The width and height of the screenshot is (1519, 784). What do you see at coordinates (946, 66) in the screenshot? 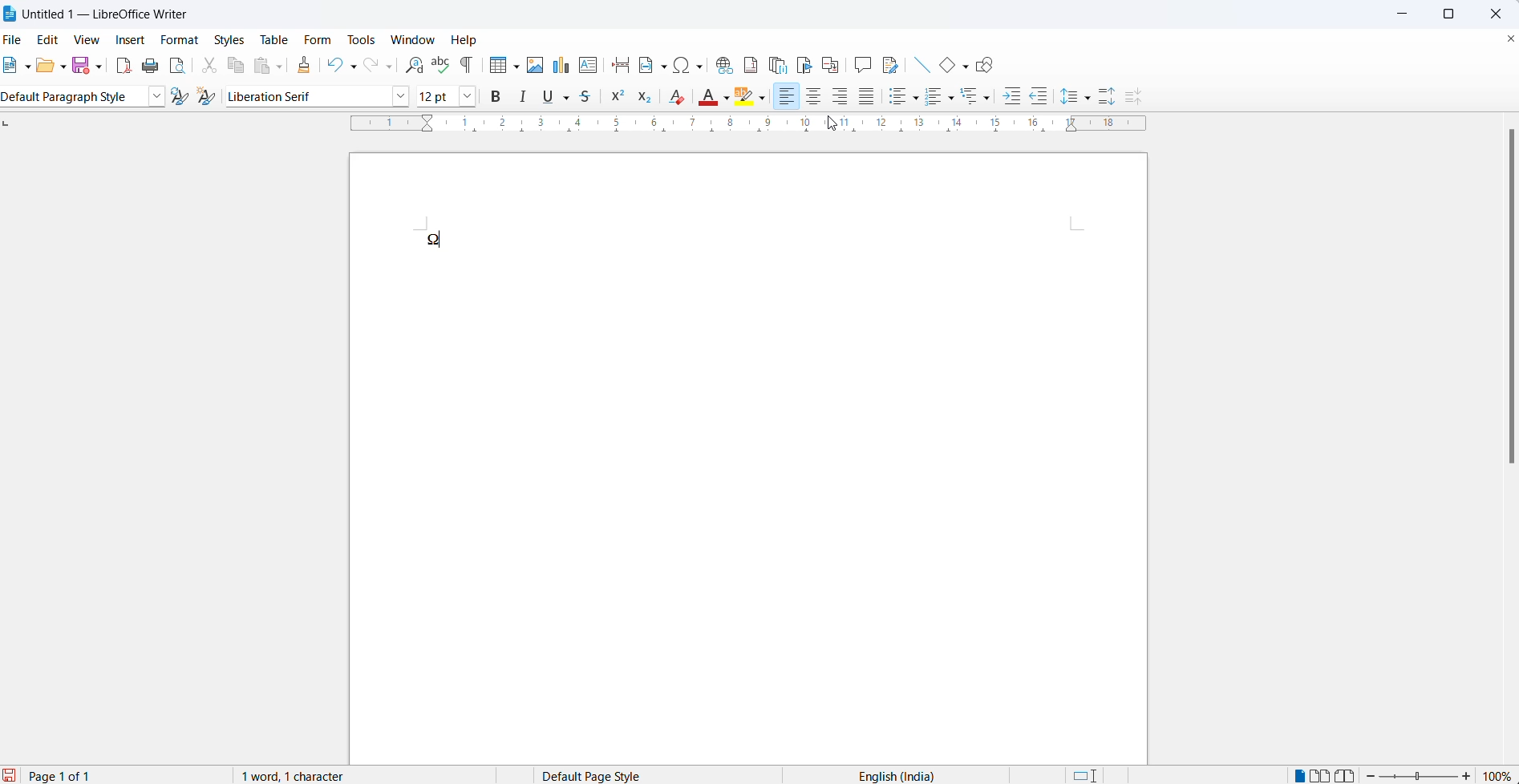
I see `basic shapes` at bounding box center [946, 66].